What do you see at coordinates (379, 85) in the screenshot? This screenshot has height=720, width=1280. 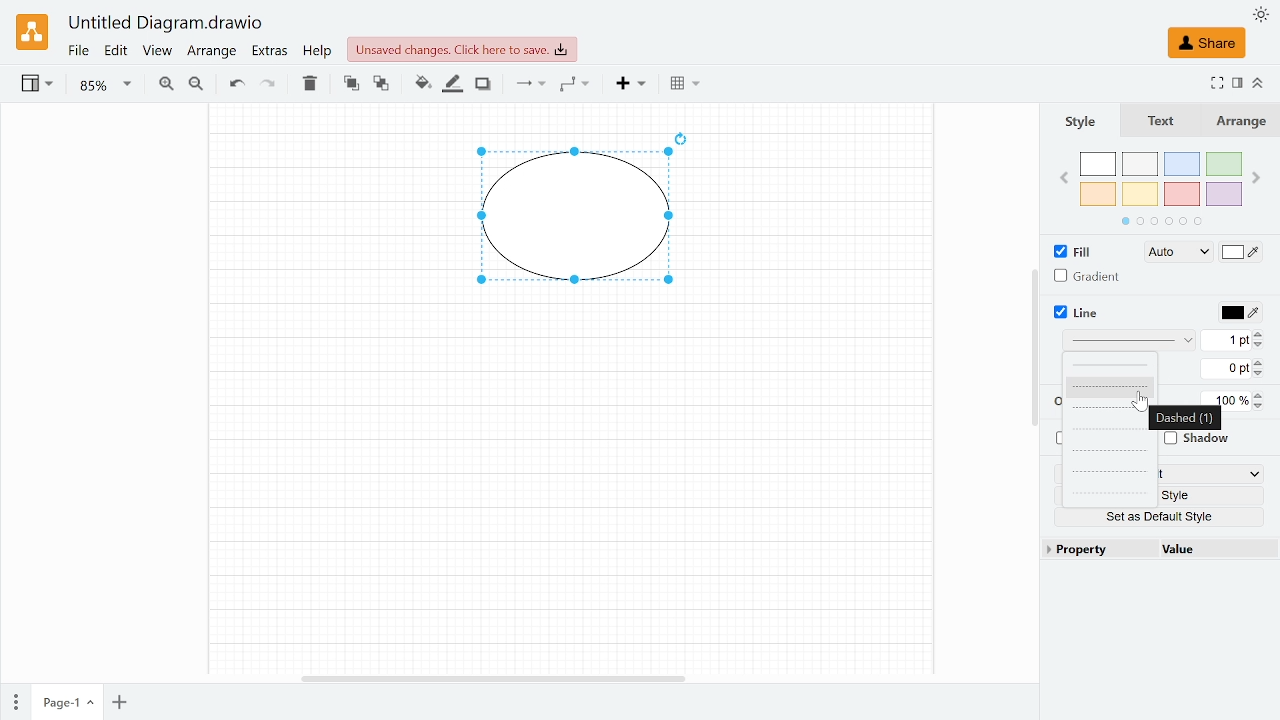 I see `To back` at bounding box center [379, 85].